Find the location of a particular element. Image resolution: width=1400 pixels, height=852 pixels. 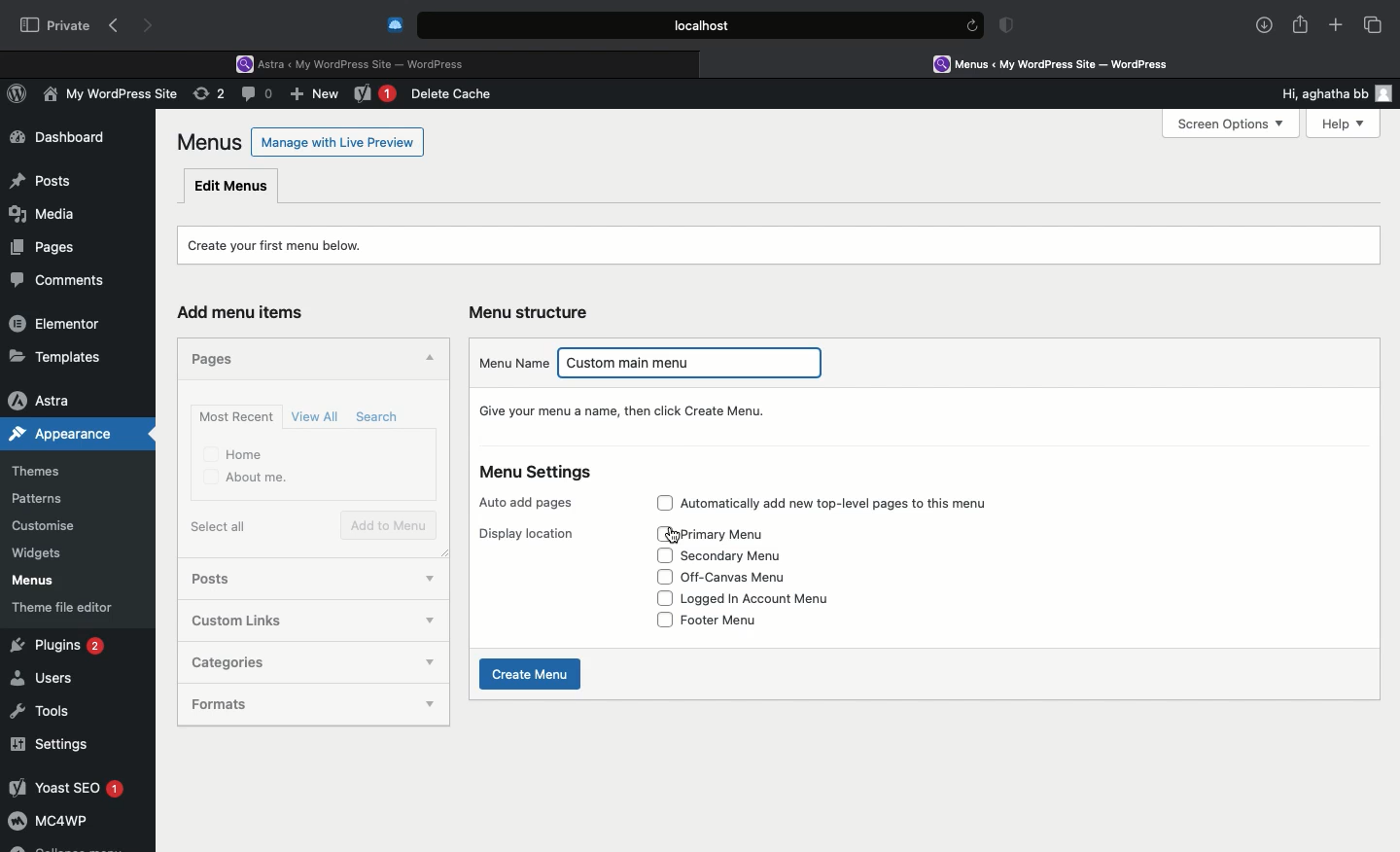

Settings is located at coordinates (51, 744).